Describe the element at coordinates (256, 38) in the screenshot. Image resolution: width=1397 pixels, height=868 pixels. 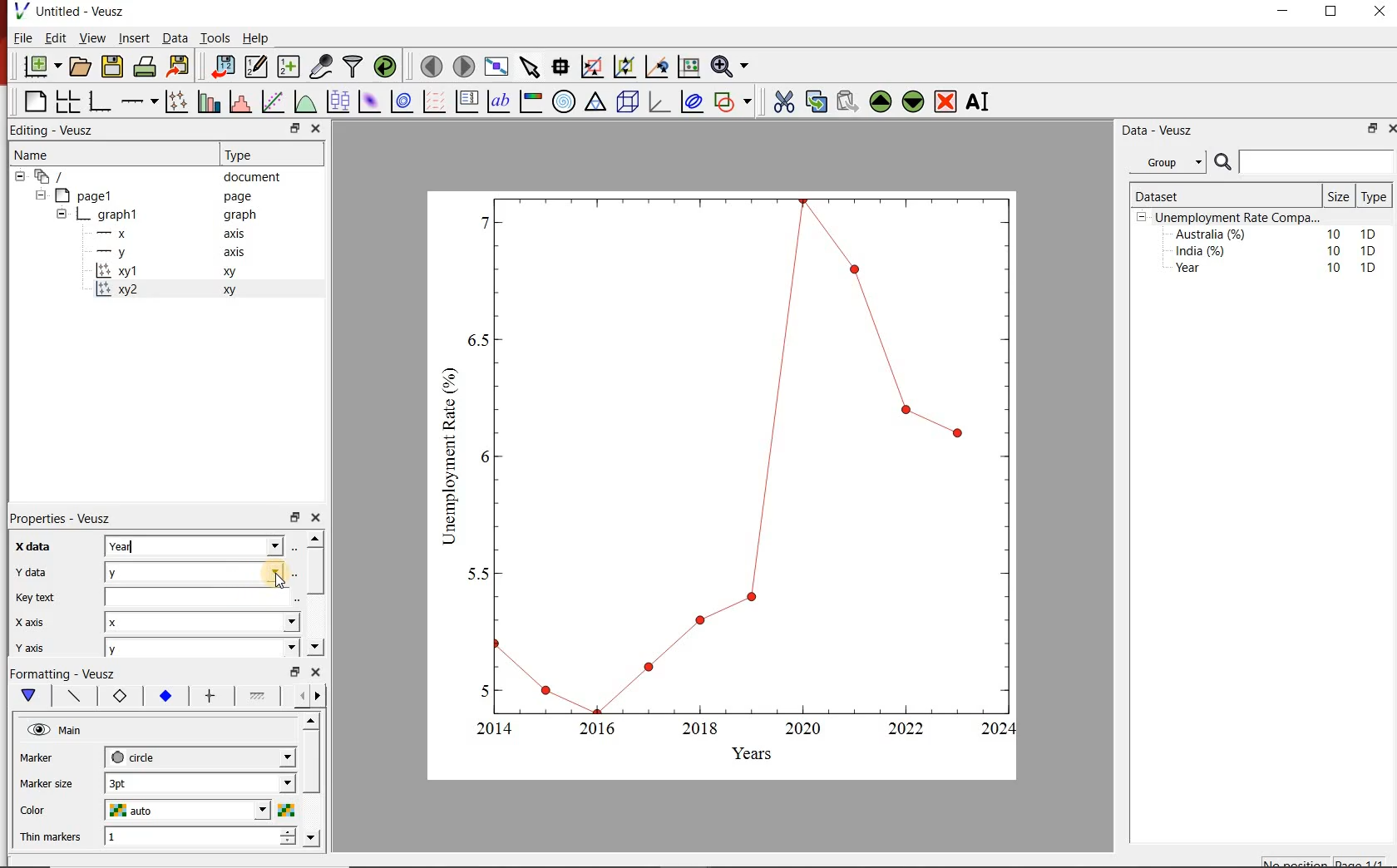
I see `Help` at that location.